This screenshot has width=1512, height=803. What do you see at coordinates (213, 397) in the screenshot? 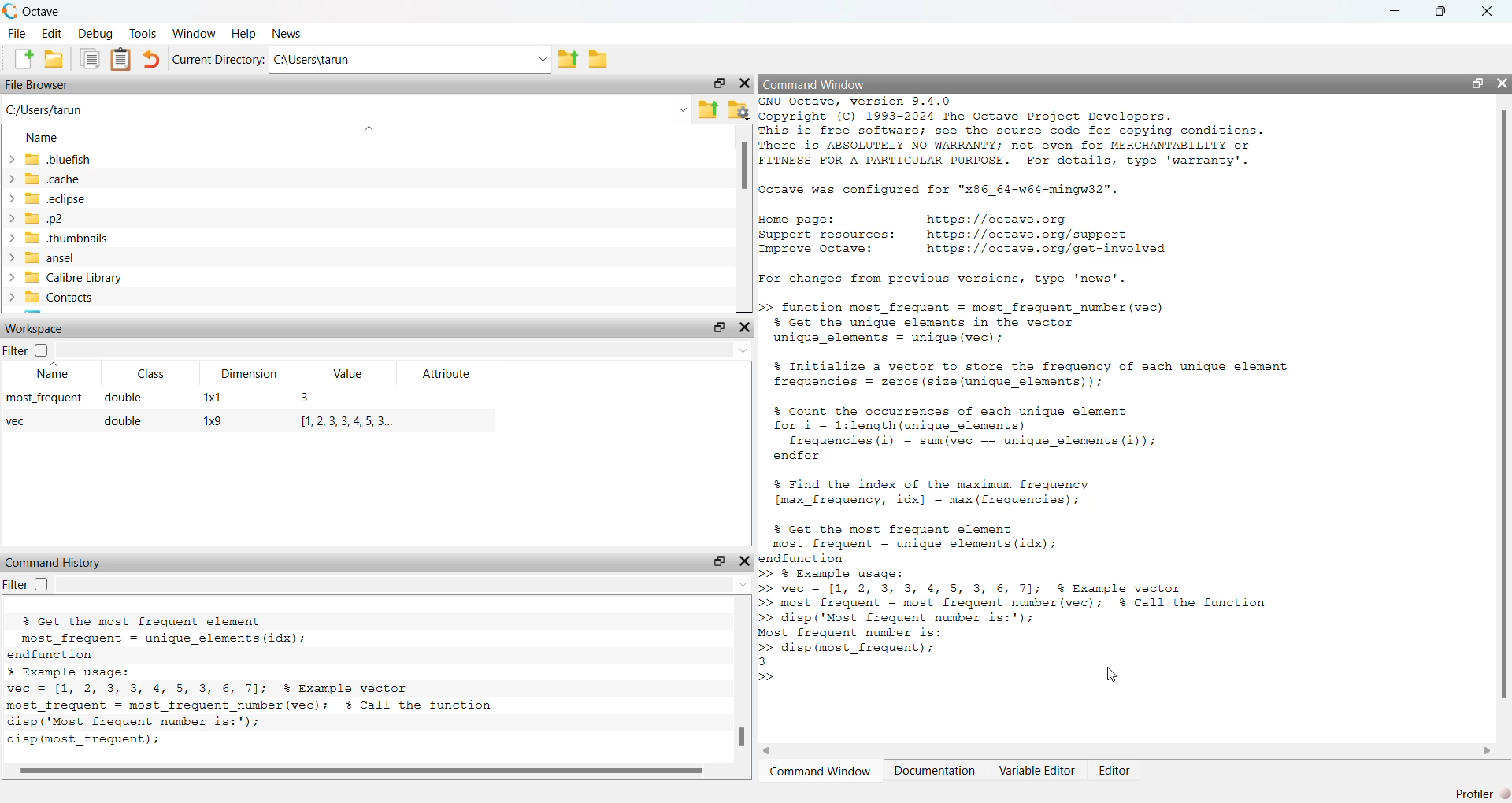
I see `1x1` at bounding box center [213, 397].